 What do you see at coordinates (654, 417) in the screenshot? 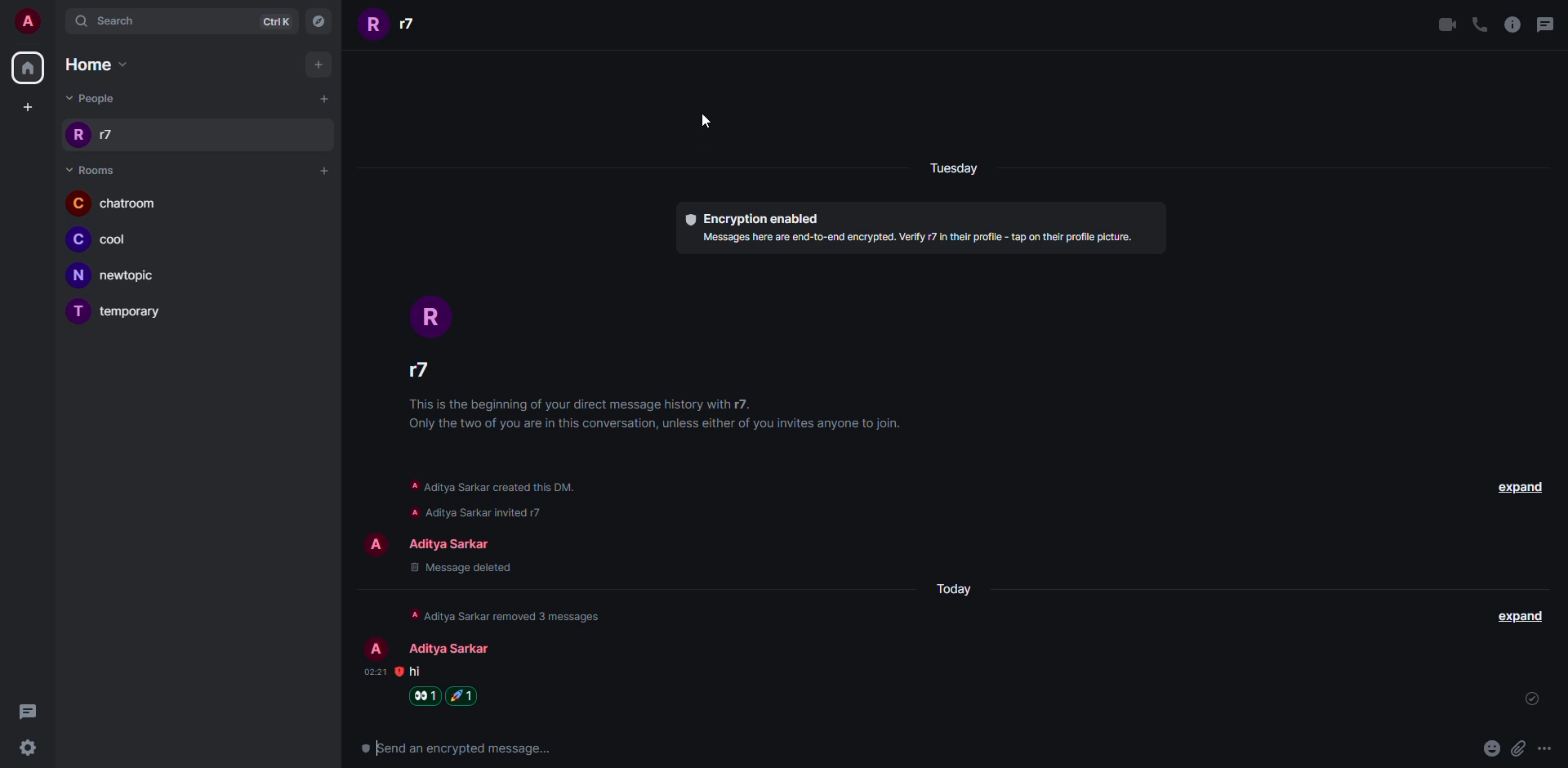
I see `info` at bounding box center [654, 417].